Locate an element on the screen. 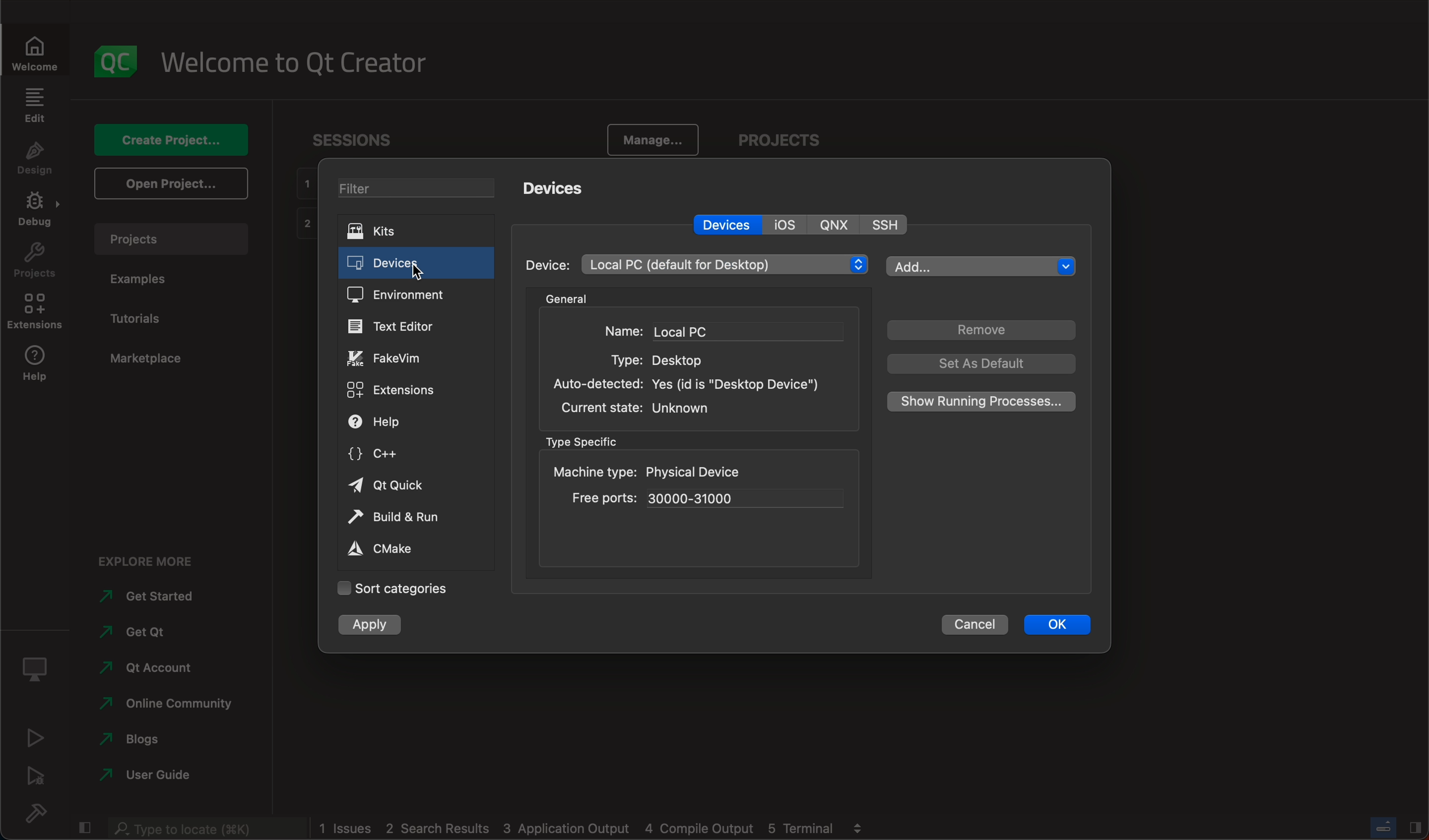 Image resolution: width=1429 pixels, height=840 pixels. fakevim is located at coordinates (409, 359).